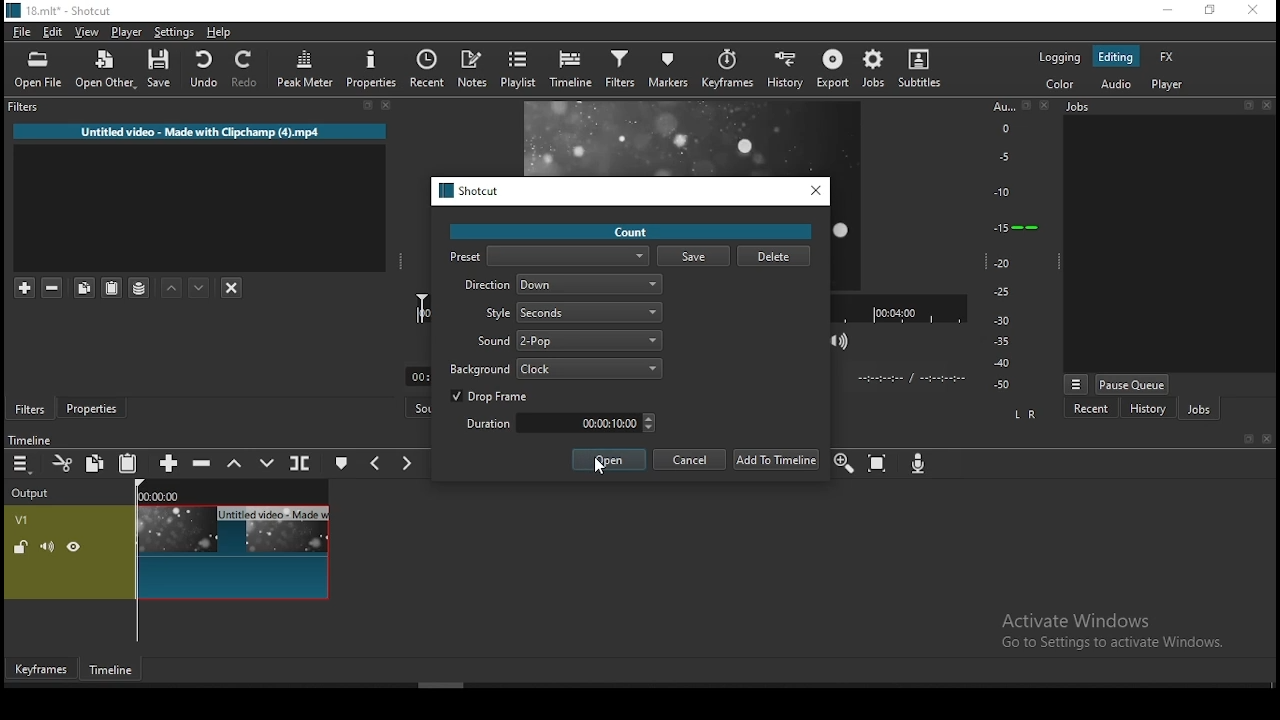  Describe the element at coordinates (922, 69) in the screenshot. I see `subtitle` at that location.